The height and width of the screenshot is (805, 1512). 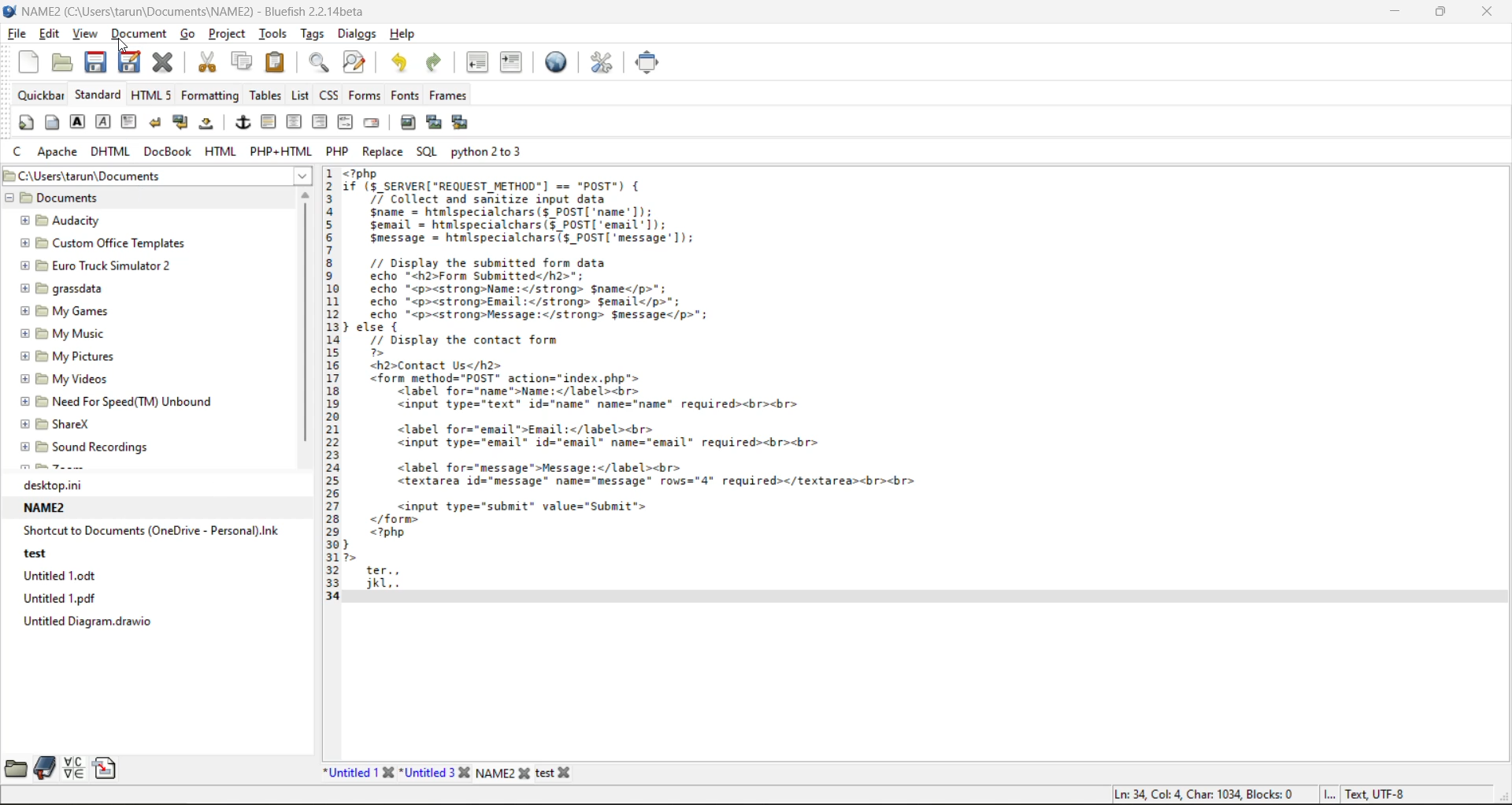 I want to click on replace, so click(x=383, y=150).